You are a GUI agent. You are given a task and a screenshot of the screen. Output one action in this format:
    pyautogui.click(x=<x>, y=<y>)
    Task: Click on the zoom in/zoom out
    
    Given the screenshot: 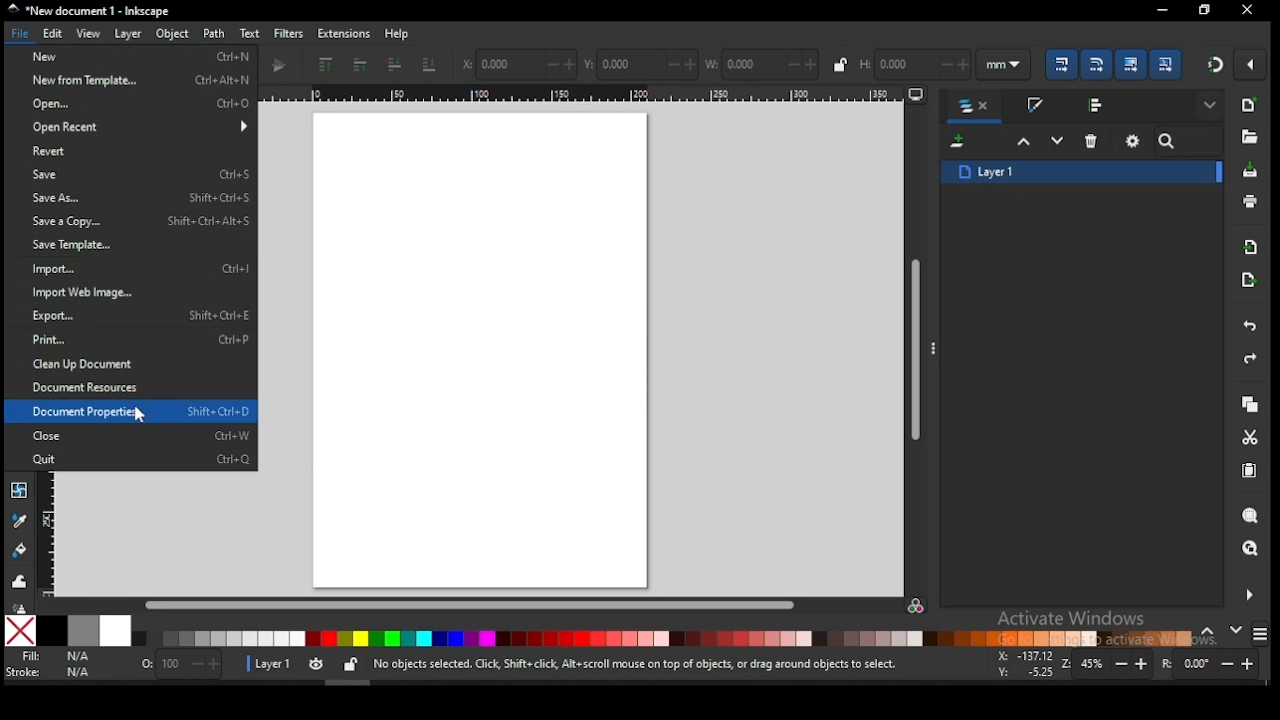 What is the action you would take?
    pyautogui.click(x=1108, y=664)
    